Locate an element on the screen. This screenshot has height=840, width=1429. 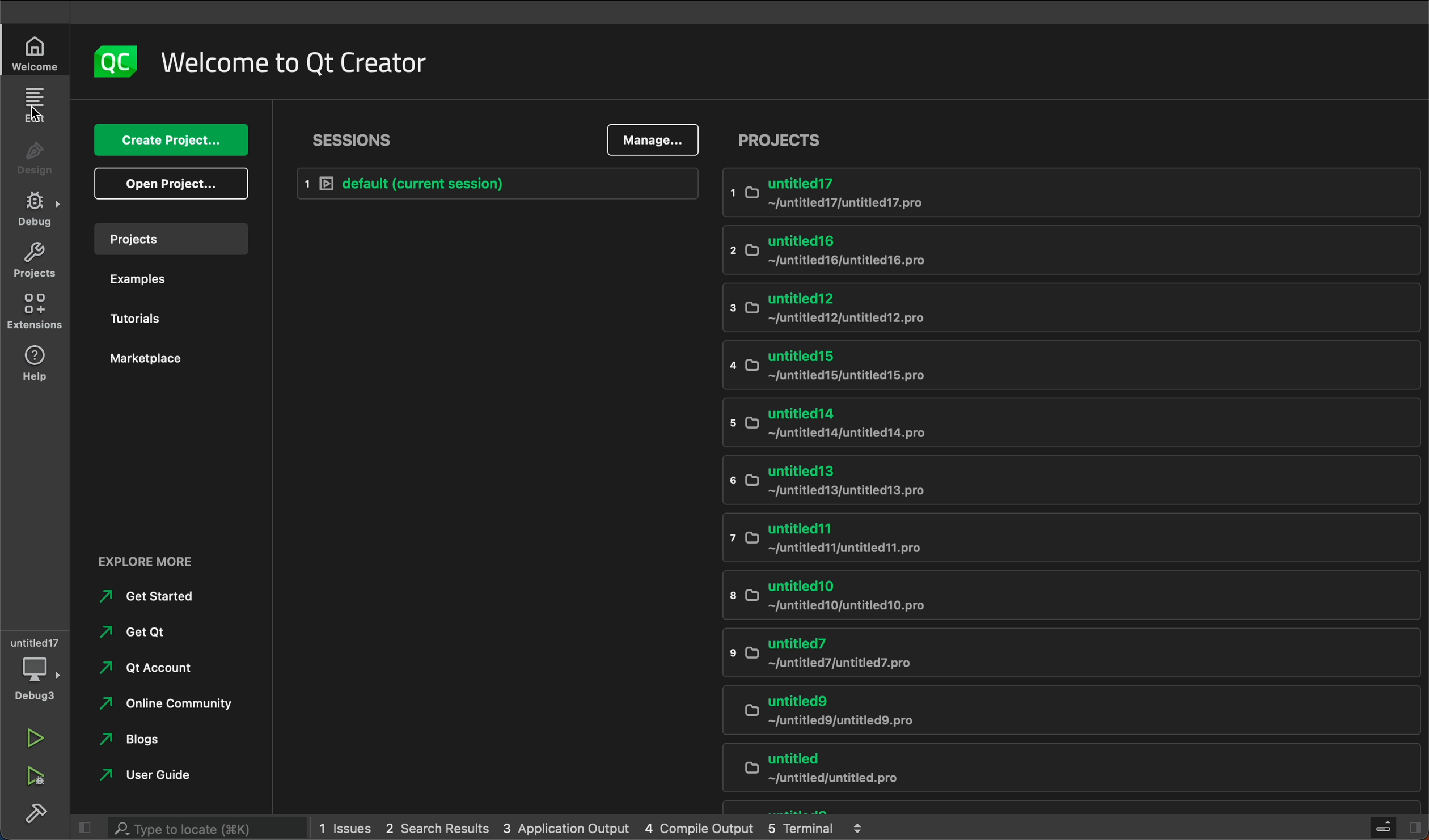
run is located at coordinates (33, 734).